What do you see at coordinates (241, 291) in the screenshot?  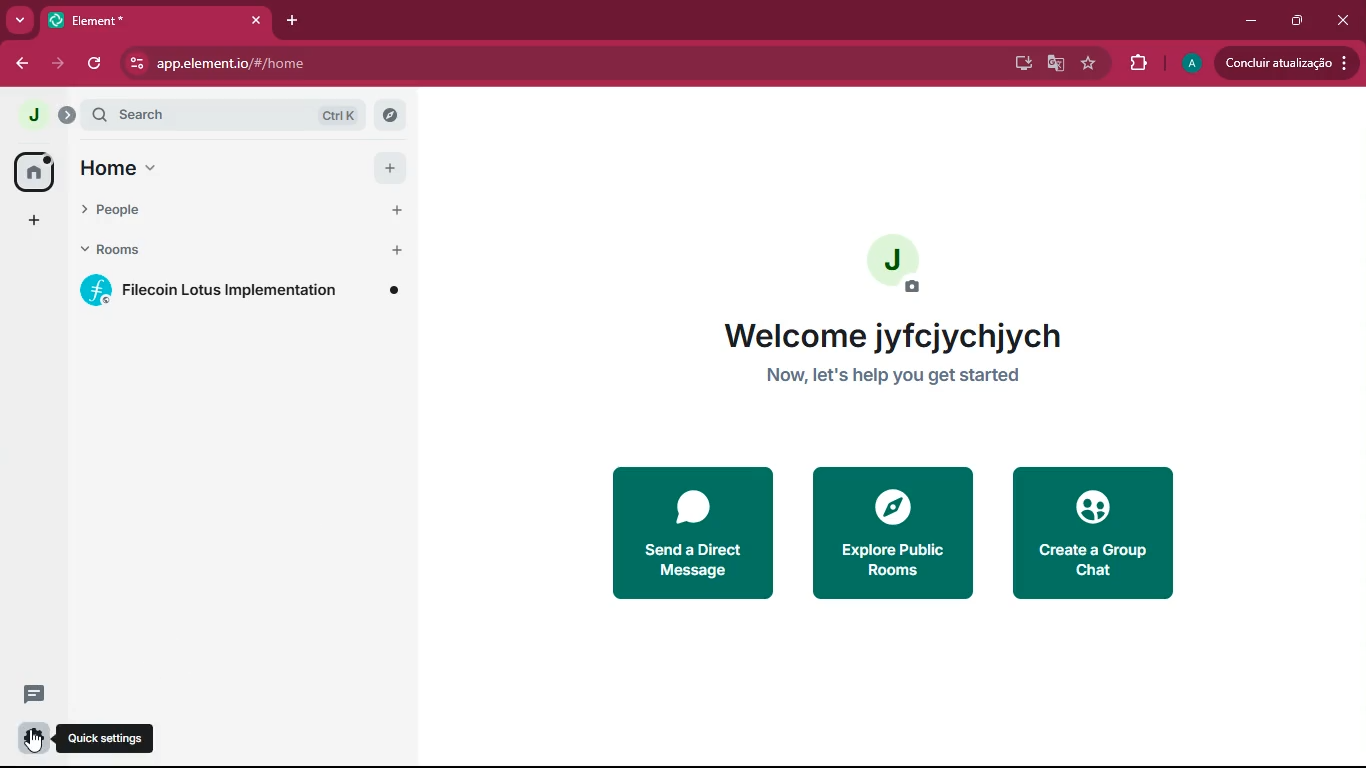 I see `filecoin lotus implementation ` at bounding box center [241, 291].